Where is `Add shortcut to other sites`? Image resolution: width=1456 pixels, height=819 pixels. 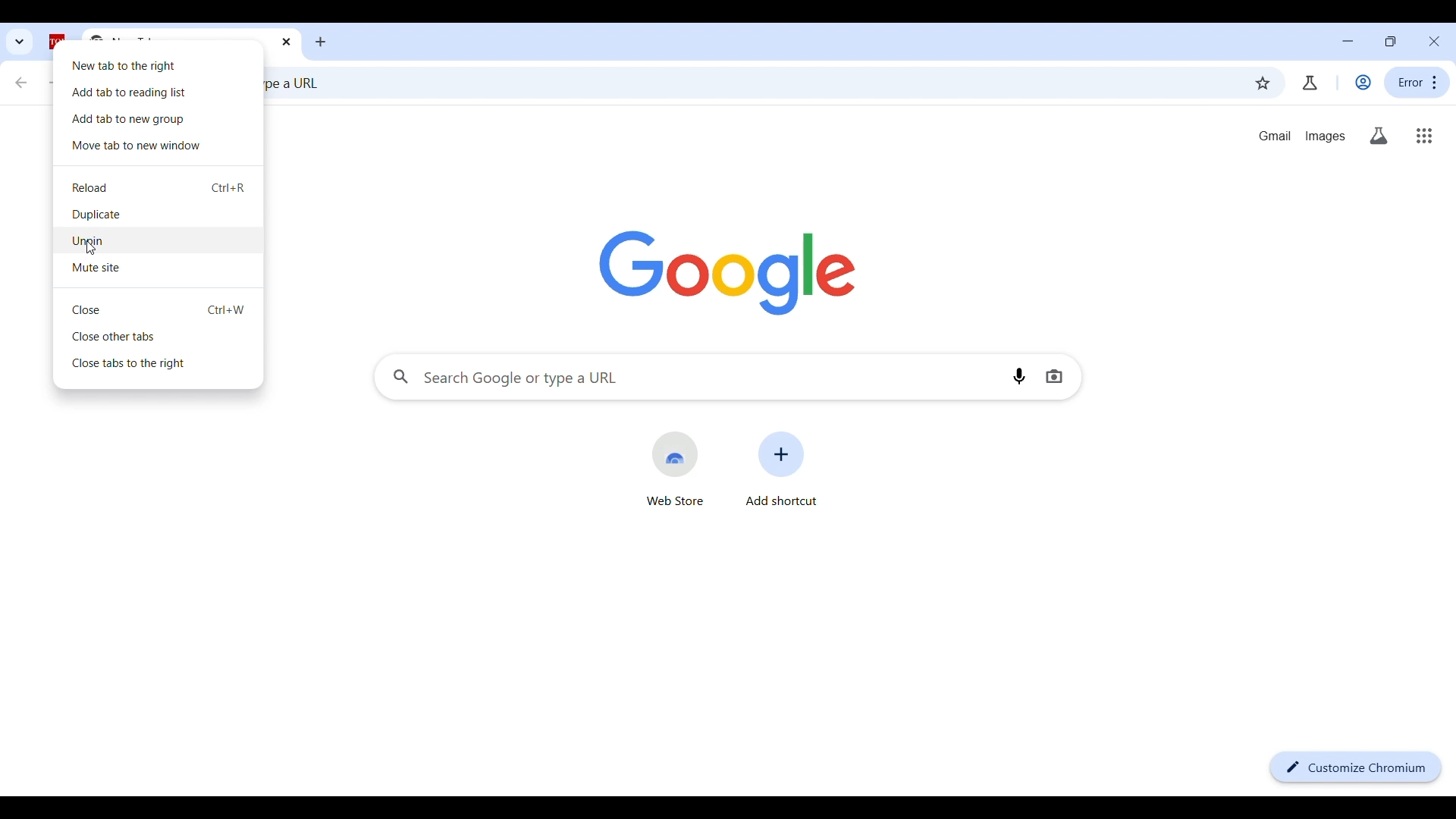 Add shortcut to other sites is located at coordinates (782, 469).